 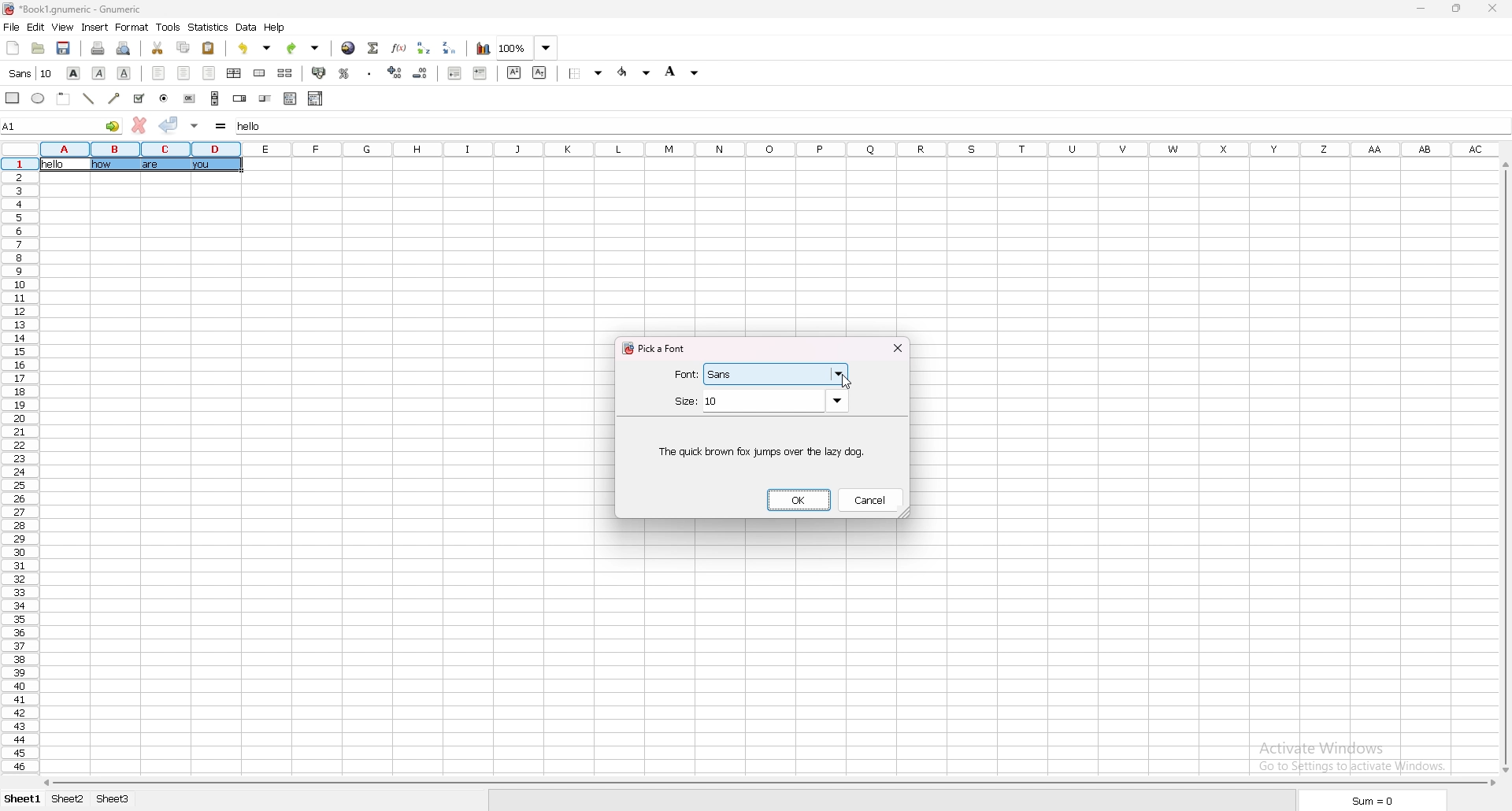 I want to click on scroll bar, so click(x=215, y=98).